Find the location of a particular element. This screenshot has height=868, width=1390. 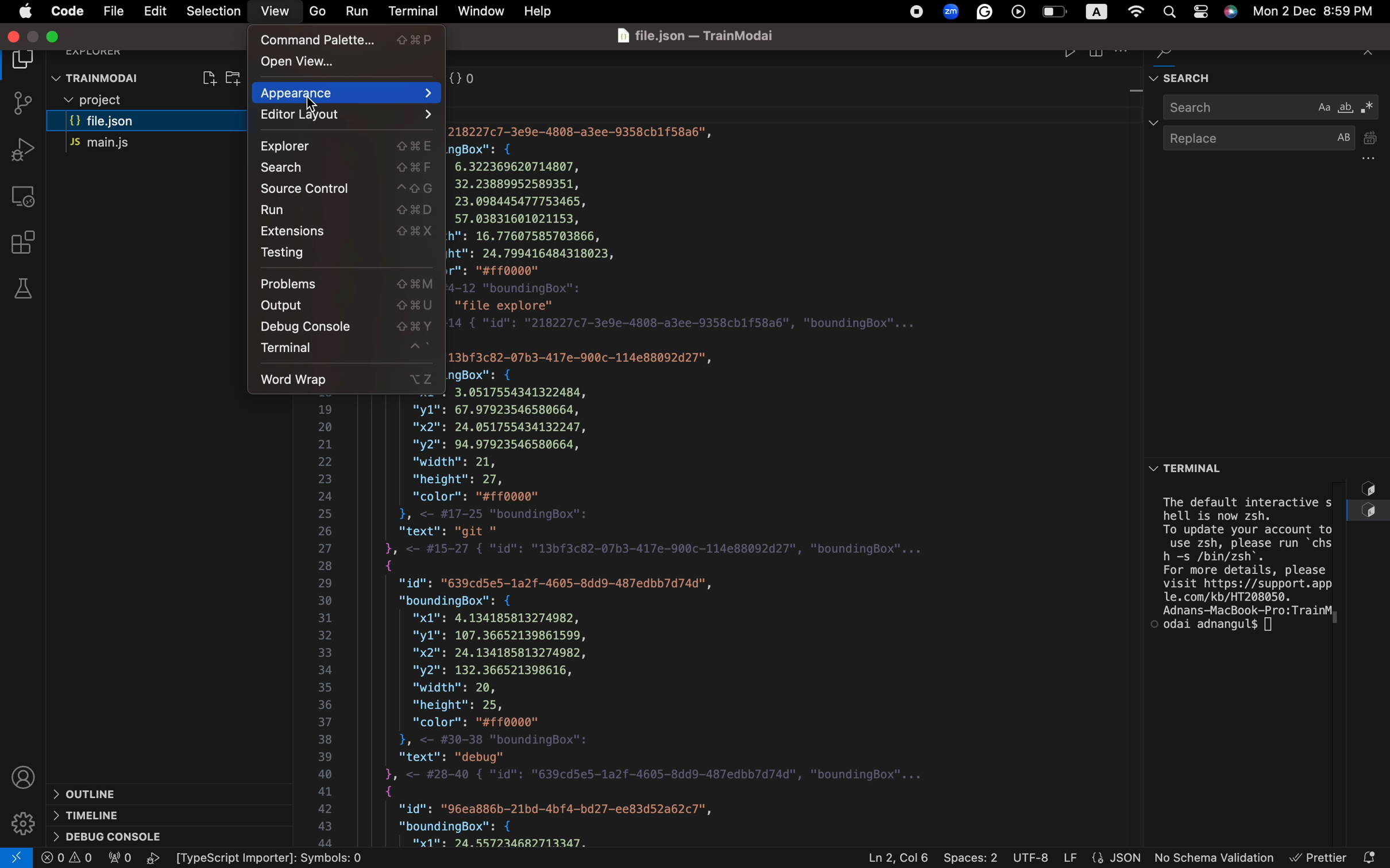

replace is located at coordinates (1269, 145).